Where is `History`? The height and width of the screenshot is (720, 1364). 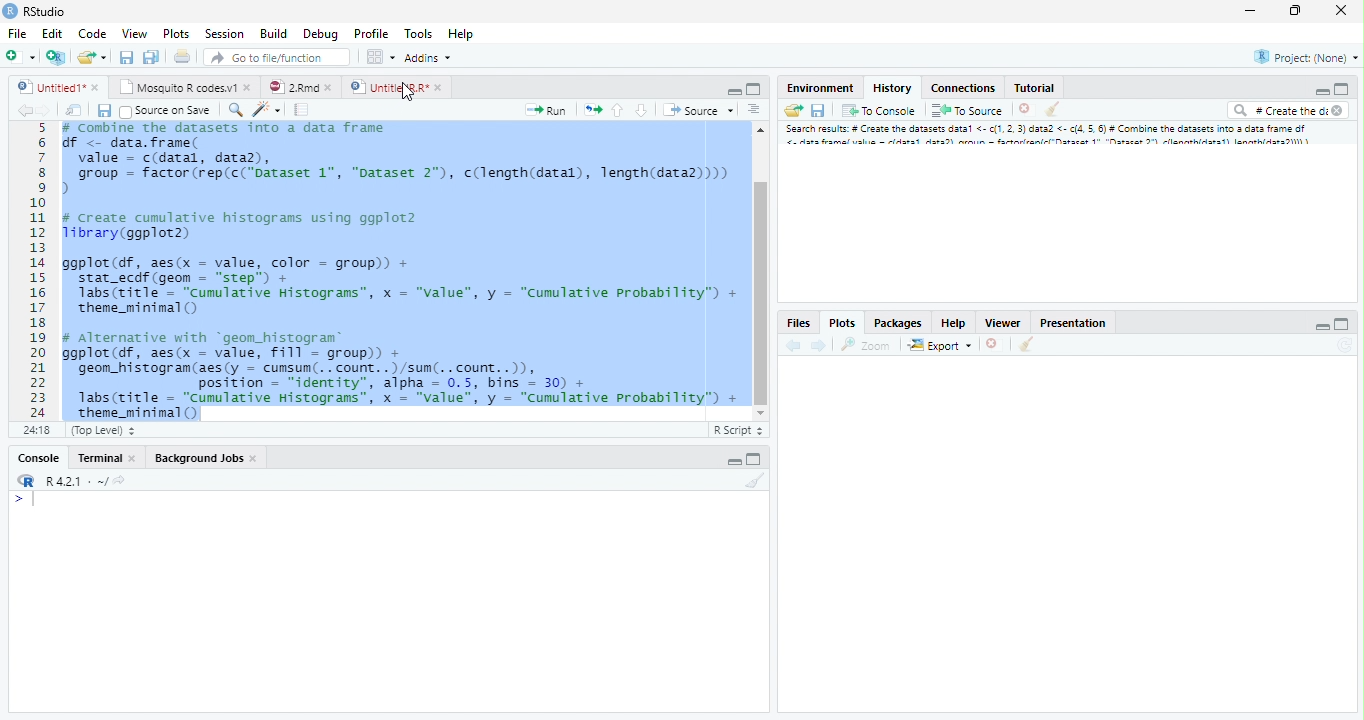 History is located at coordinates (892, 87).